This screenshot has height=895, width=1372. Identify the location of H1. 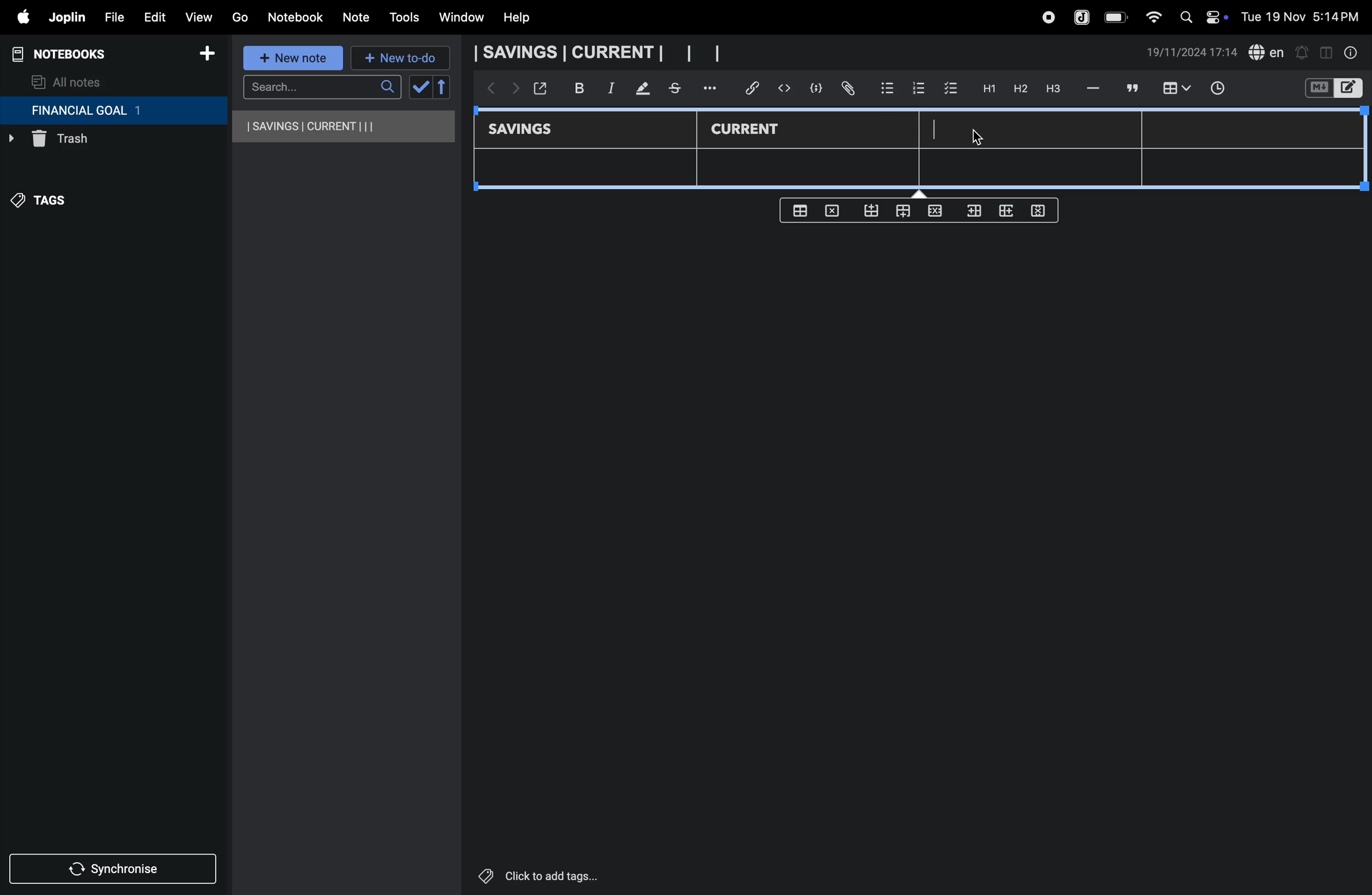
(987, 89).